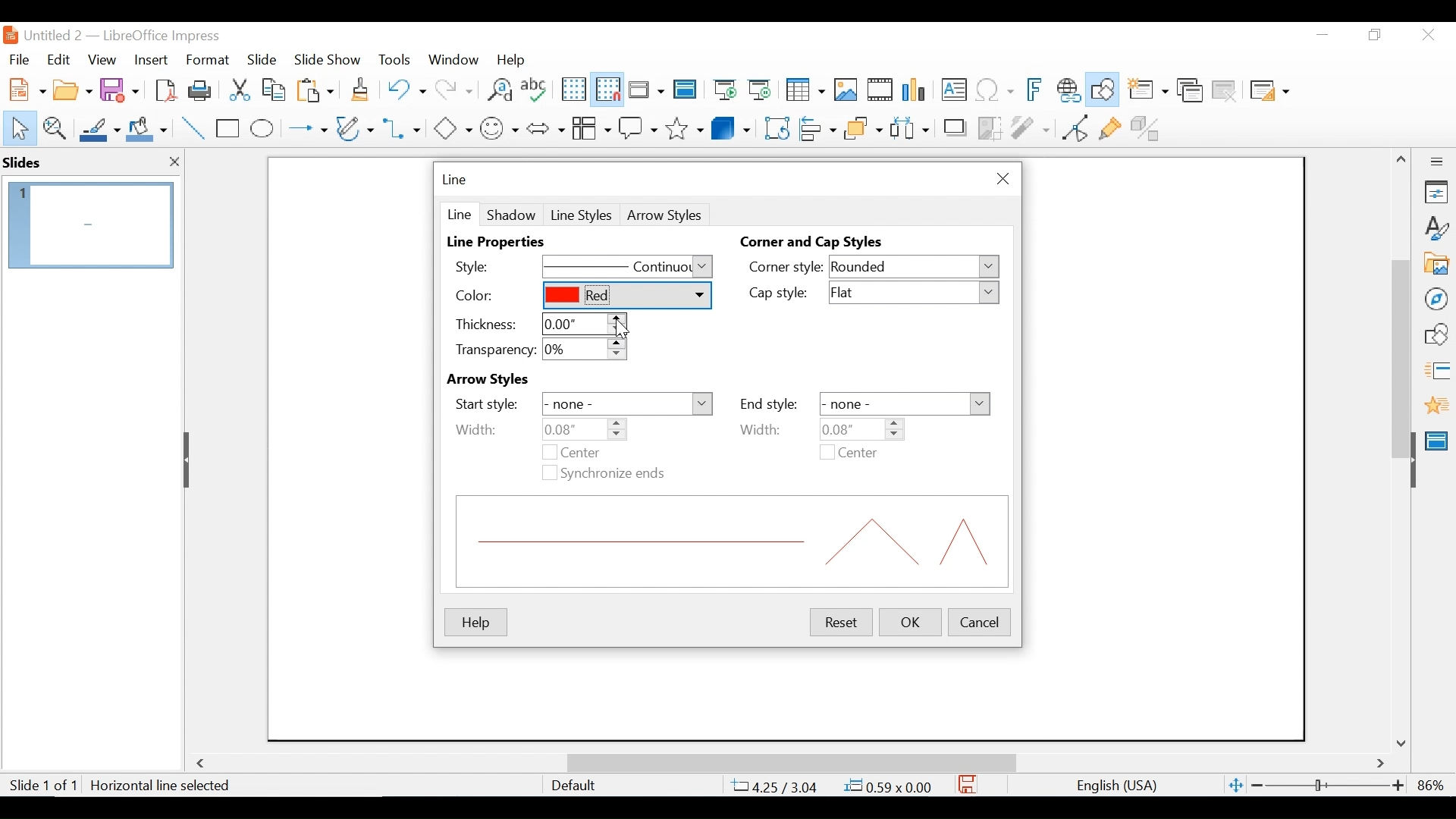  Describe the element at coordinates (1000, 179) in the screenshot. I see `Close` at that location.